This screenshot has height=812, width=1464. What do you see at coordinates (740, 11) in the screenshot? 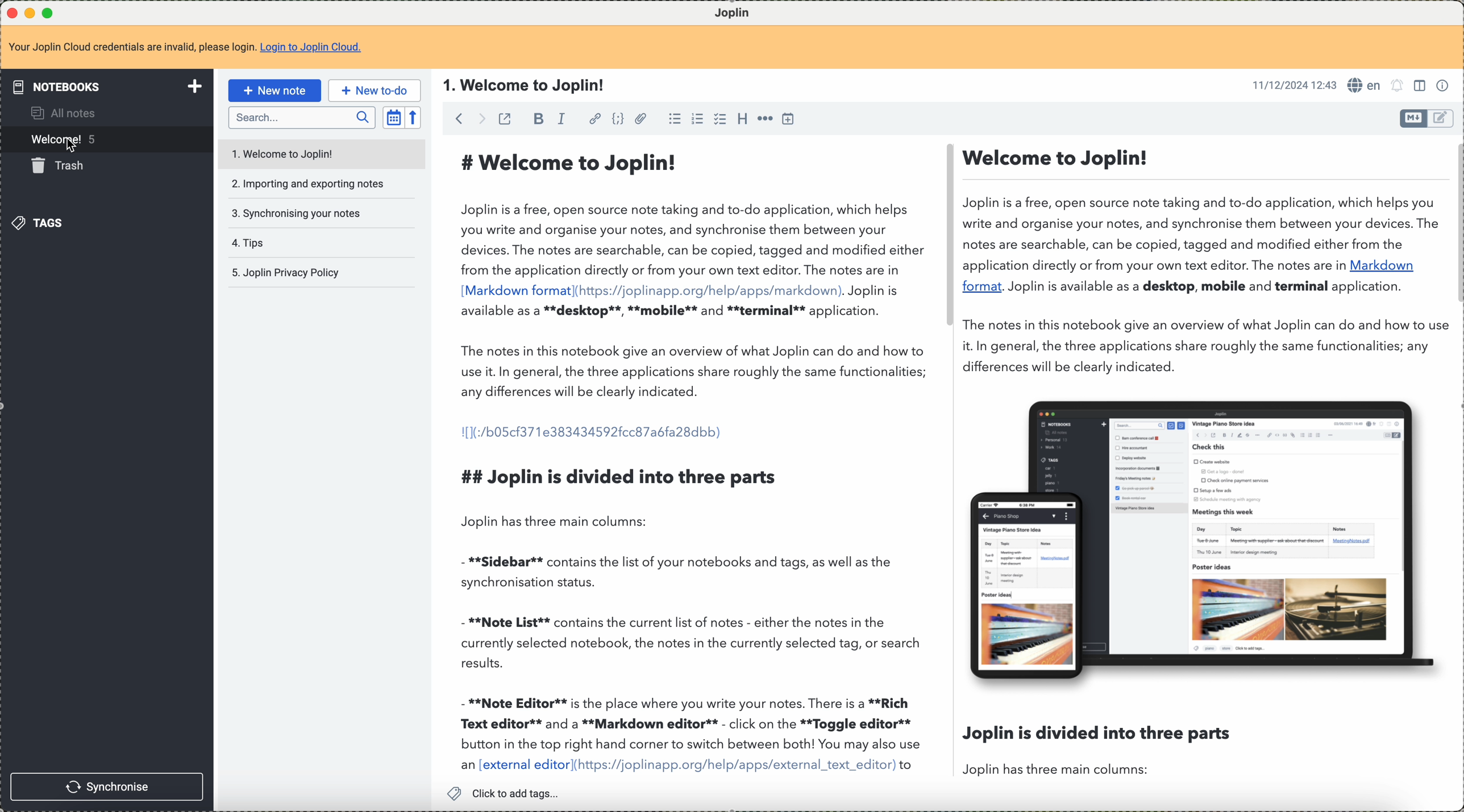
I see `Joplin` at bounding box center [740, 11].